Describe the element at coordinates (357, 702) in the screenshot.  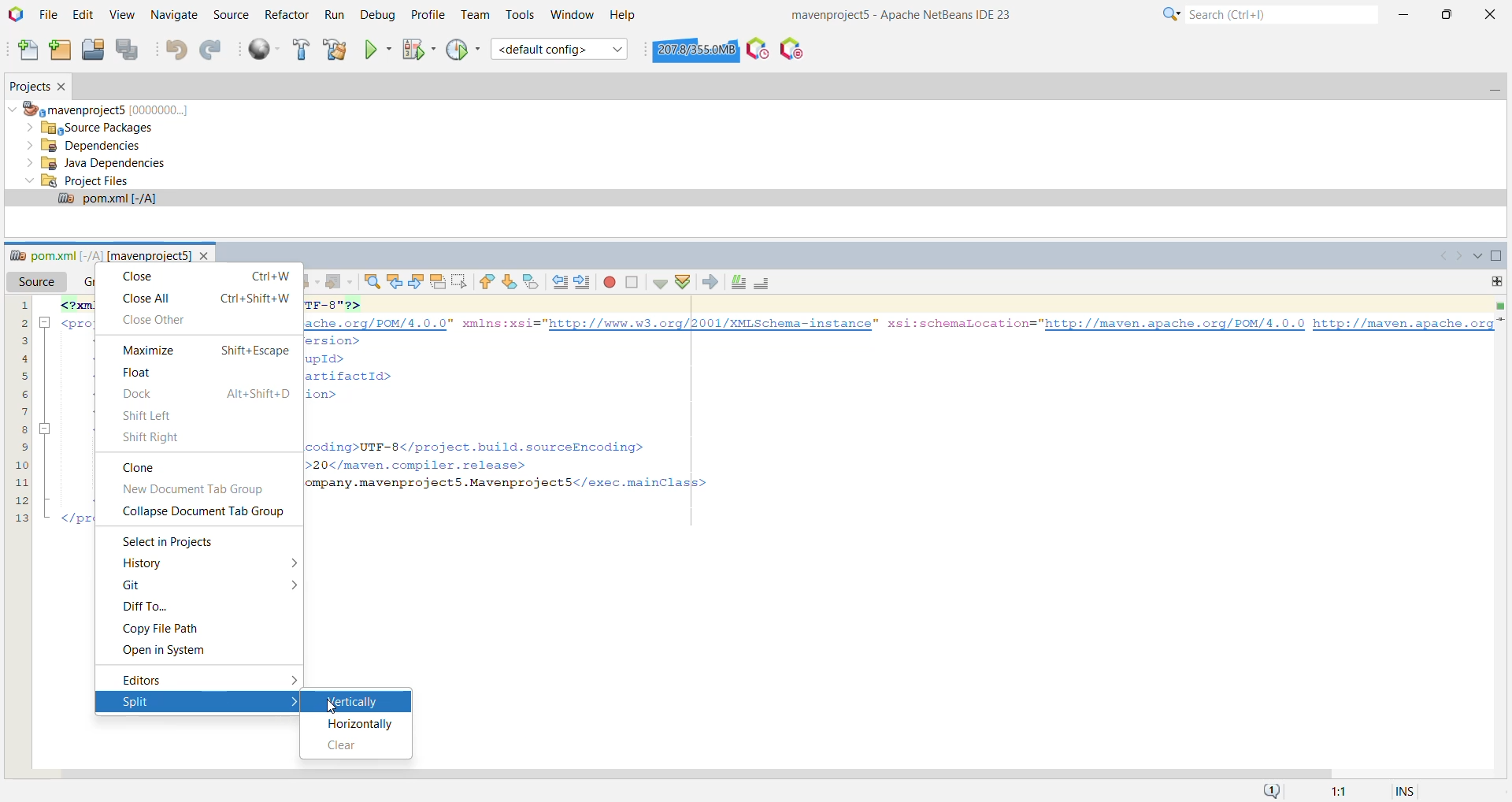
I see `Vertically` at that location.